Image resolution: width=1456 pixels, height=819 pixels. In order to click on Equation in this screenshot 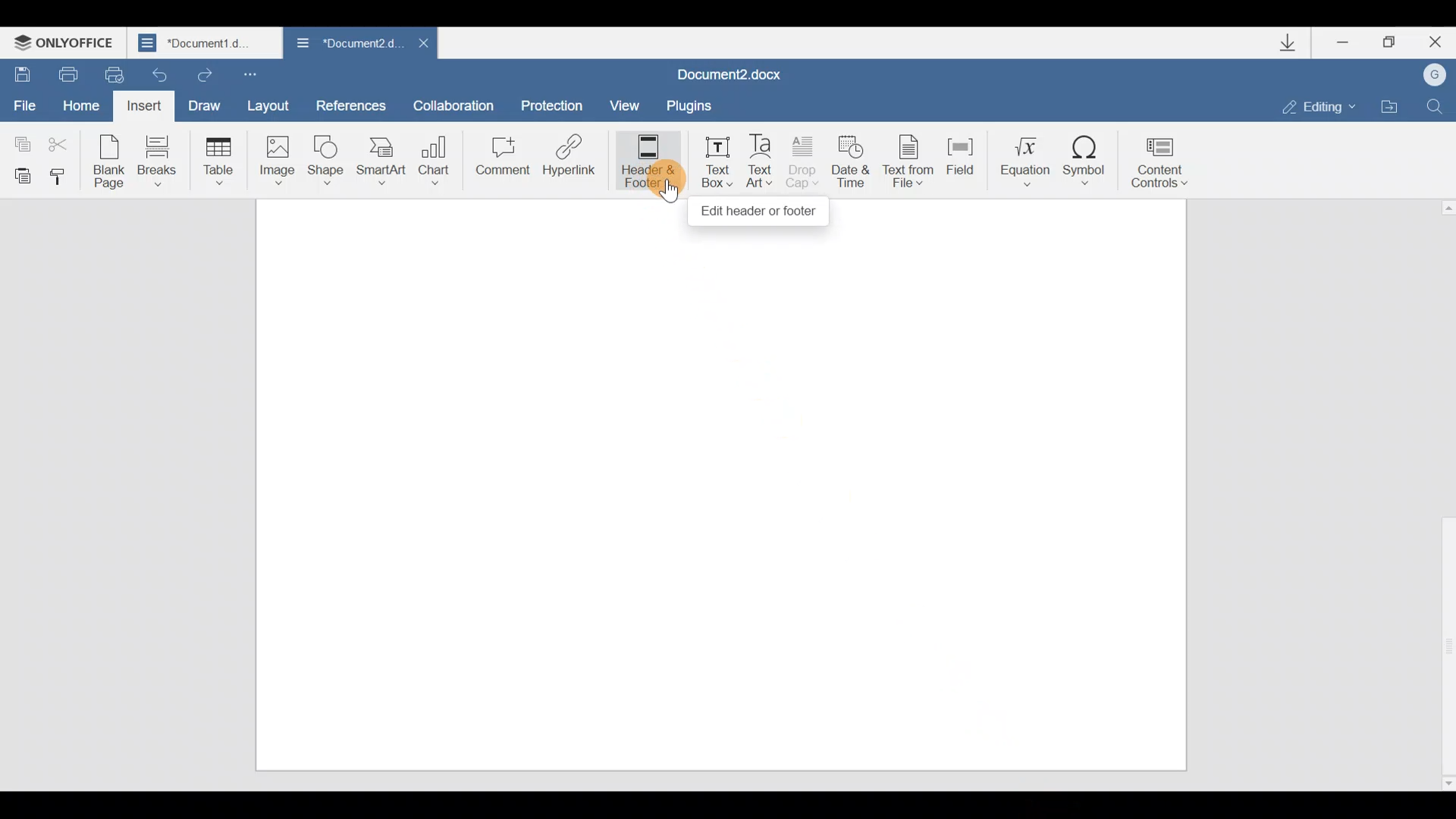, I will do `click(1020, 158)`.